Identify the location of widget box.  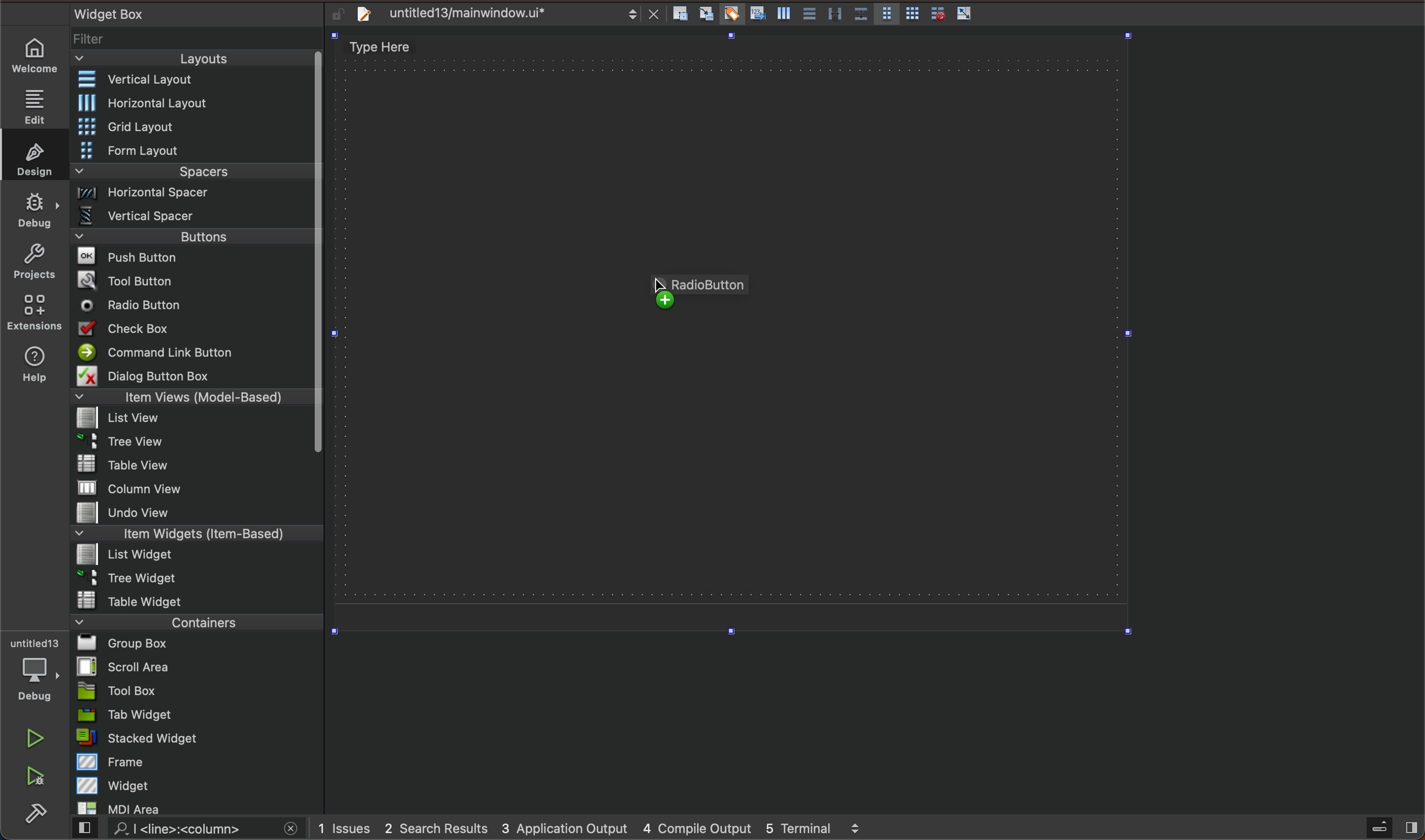
(181, 13).